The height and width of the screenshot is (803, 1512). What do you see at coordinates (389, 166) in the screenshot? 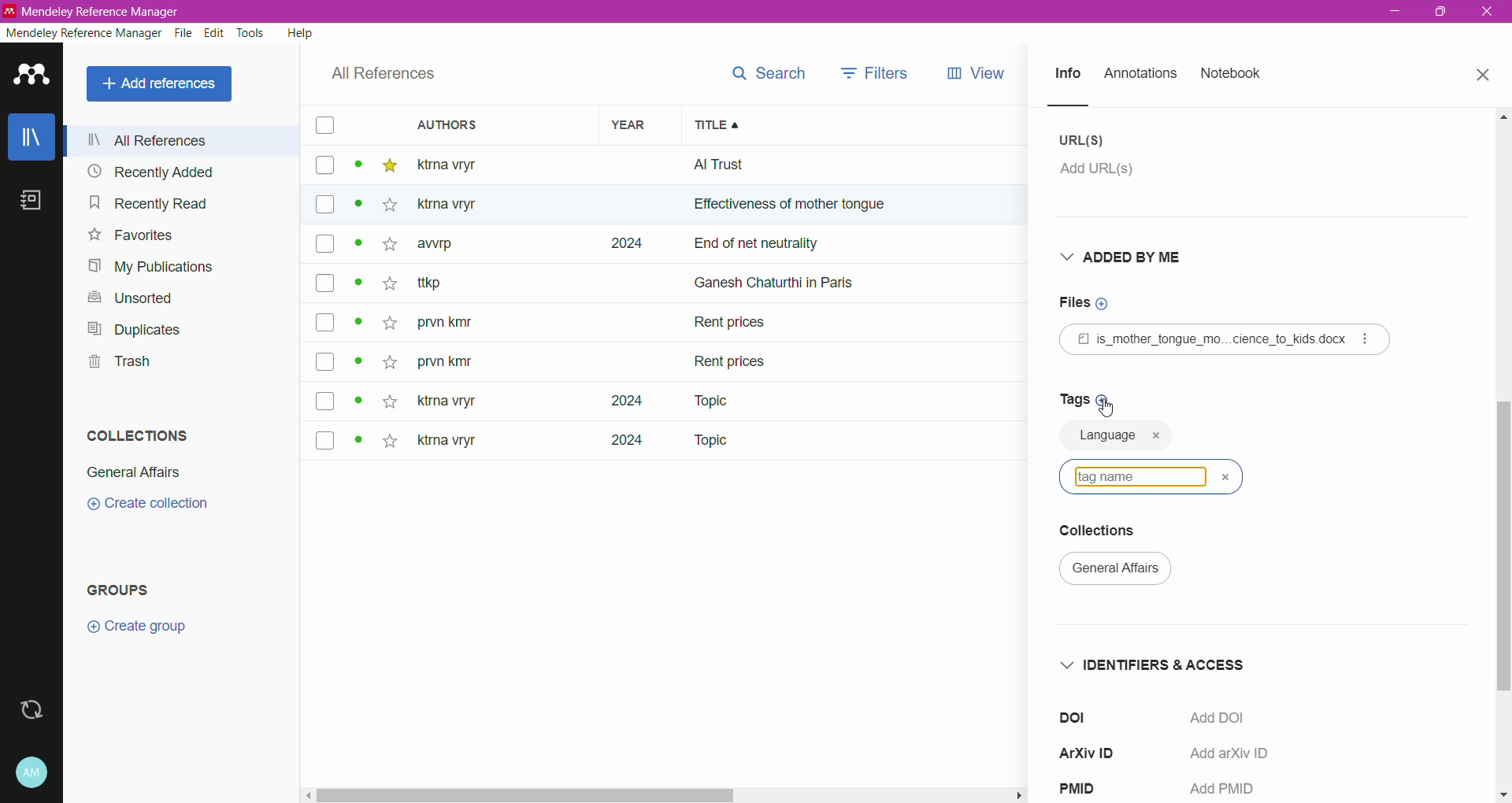
I see `star` at bounding box center [389, 166].